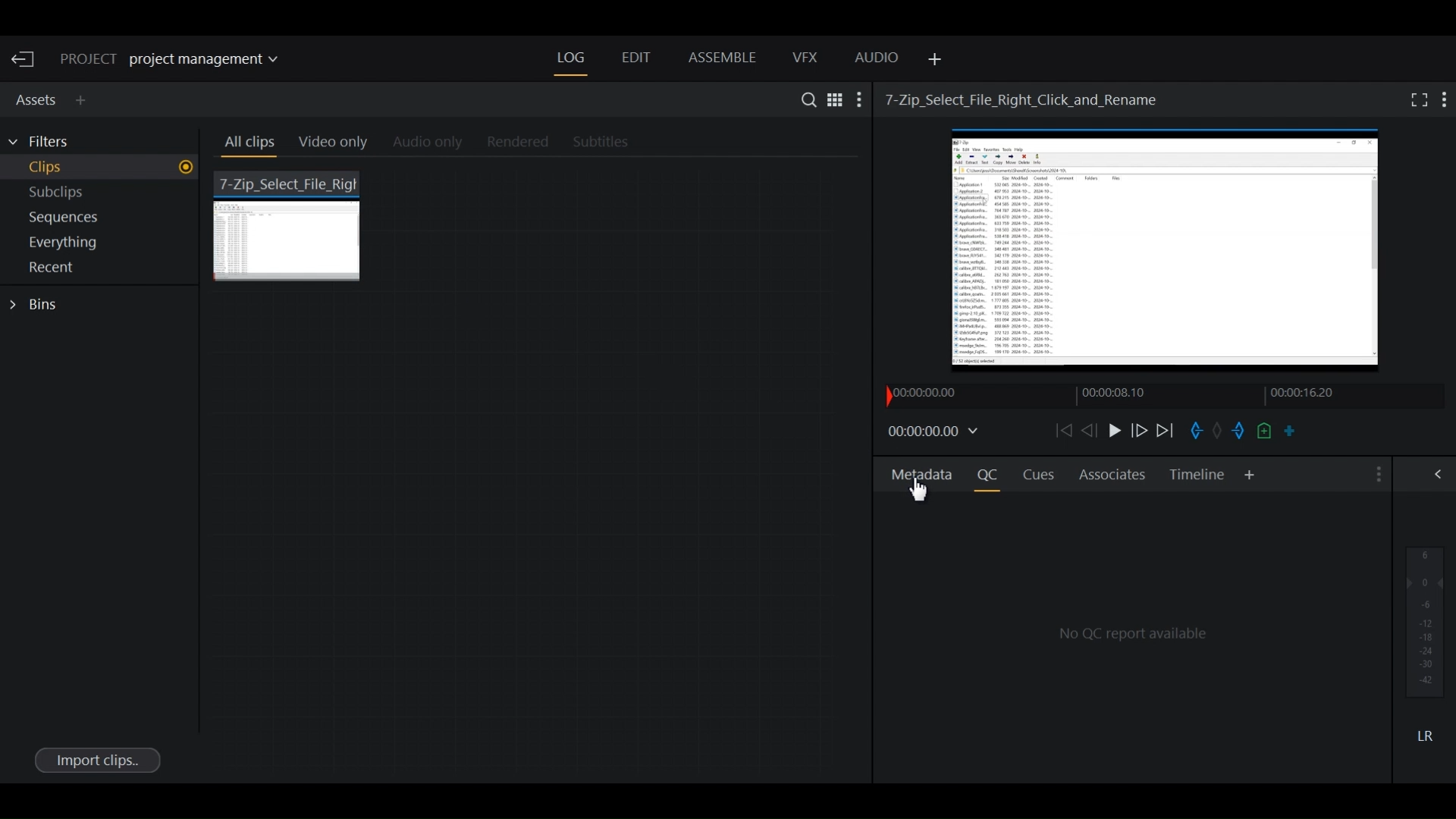 This screenshot has height=819, width=1456. I want to click on Assemble, so click(722, 58).